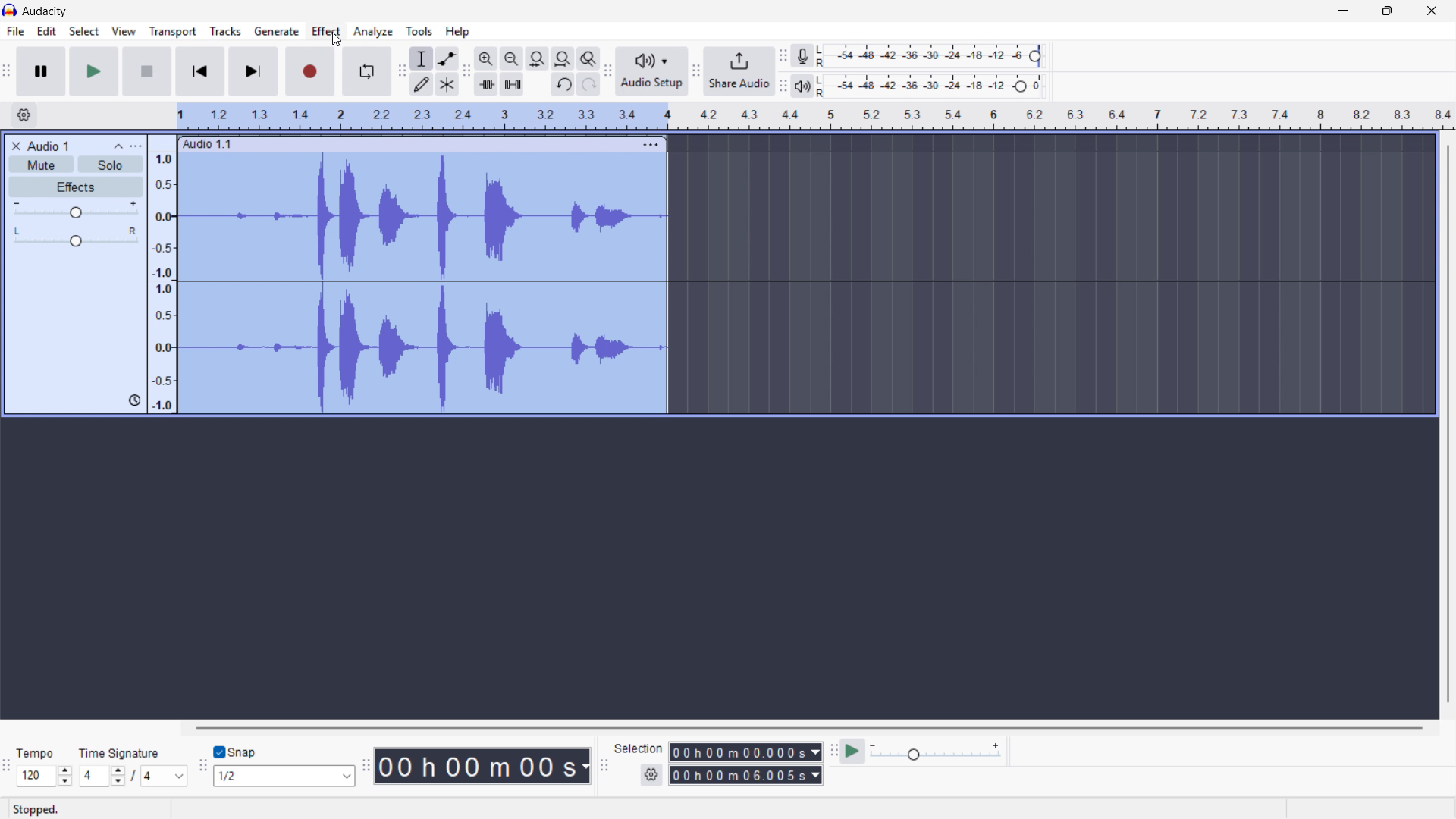  I want to click on Vertical scrollbar, so click(1448, 424).